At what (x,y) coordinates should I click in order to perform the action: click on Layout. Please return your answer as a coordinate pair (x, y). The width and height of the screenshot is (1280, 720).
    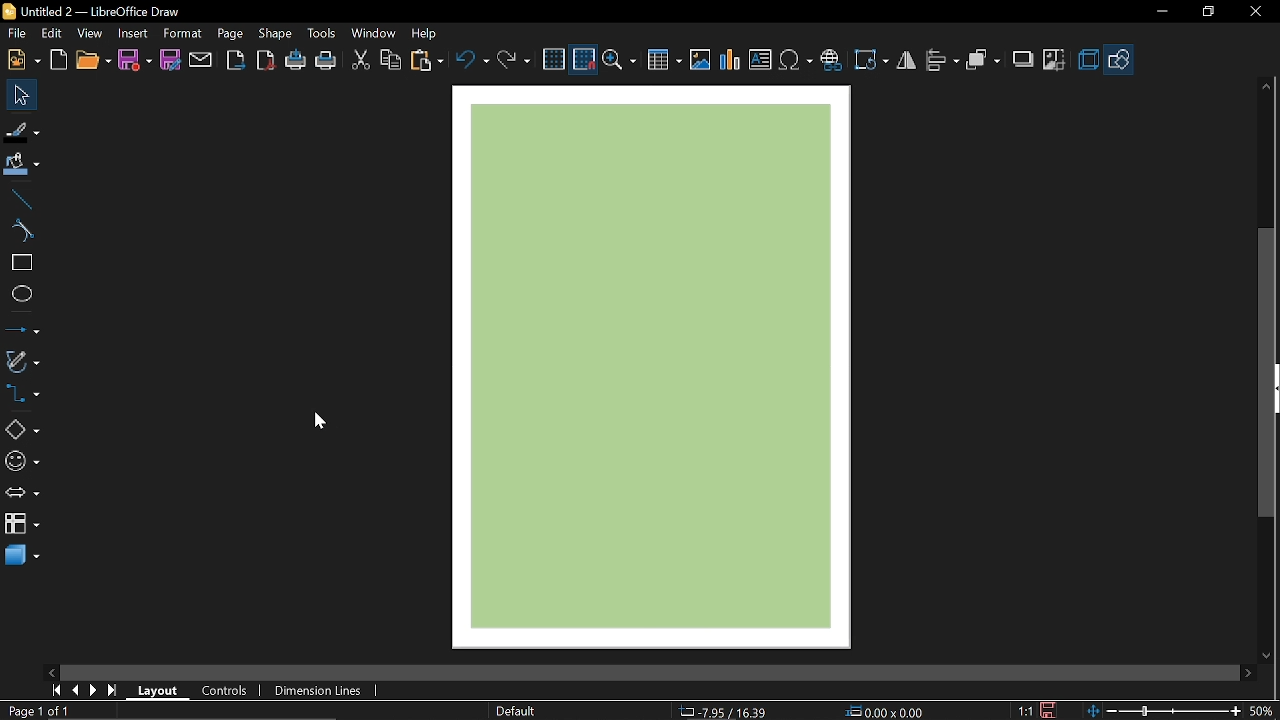
    Looking at the image, I should click on (158, 689).